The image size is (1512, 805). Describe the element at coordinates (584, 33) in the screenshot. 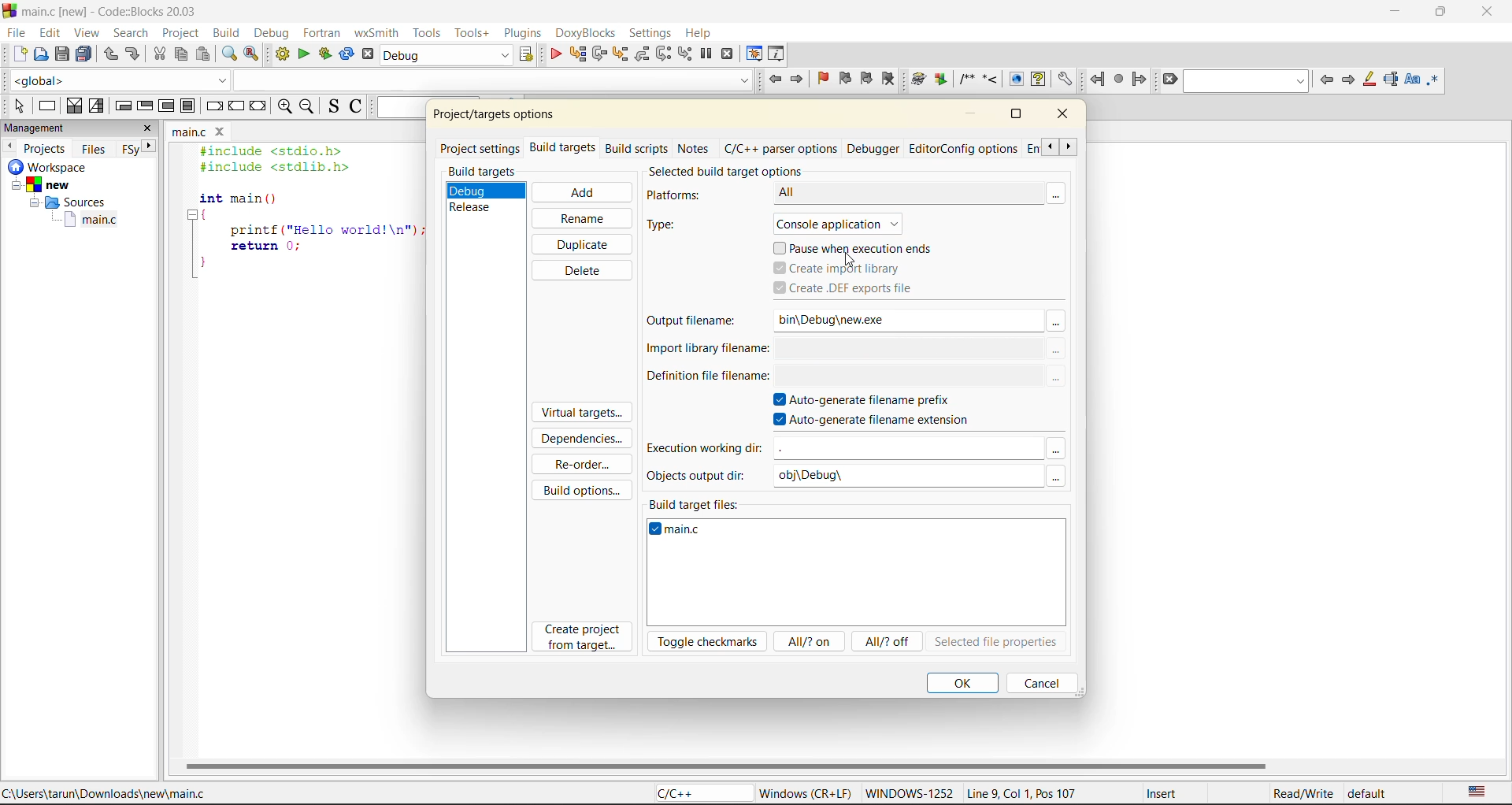

I see `doxyblocks` at that location.